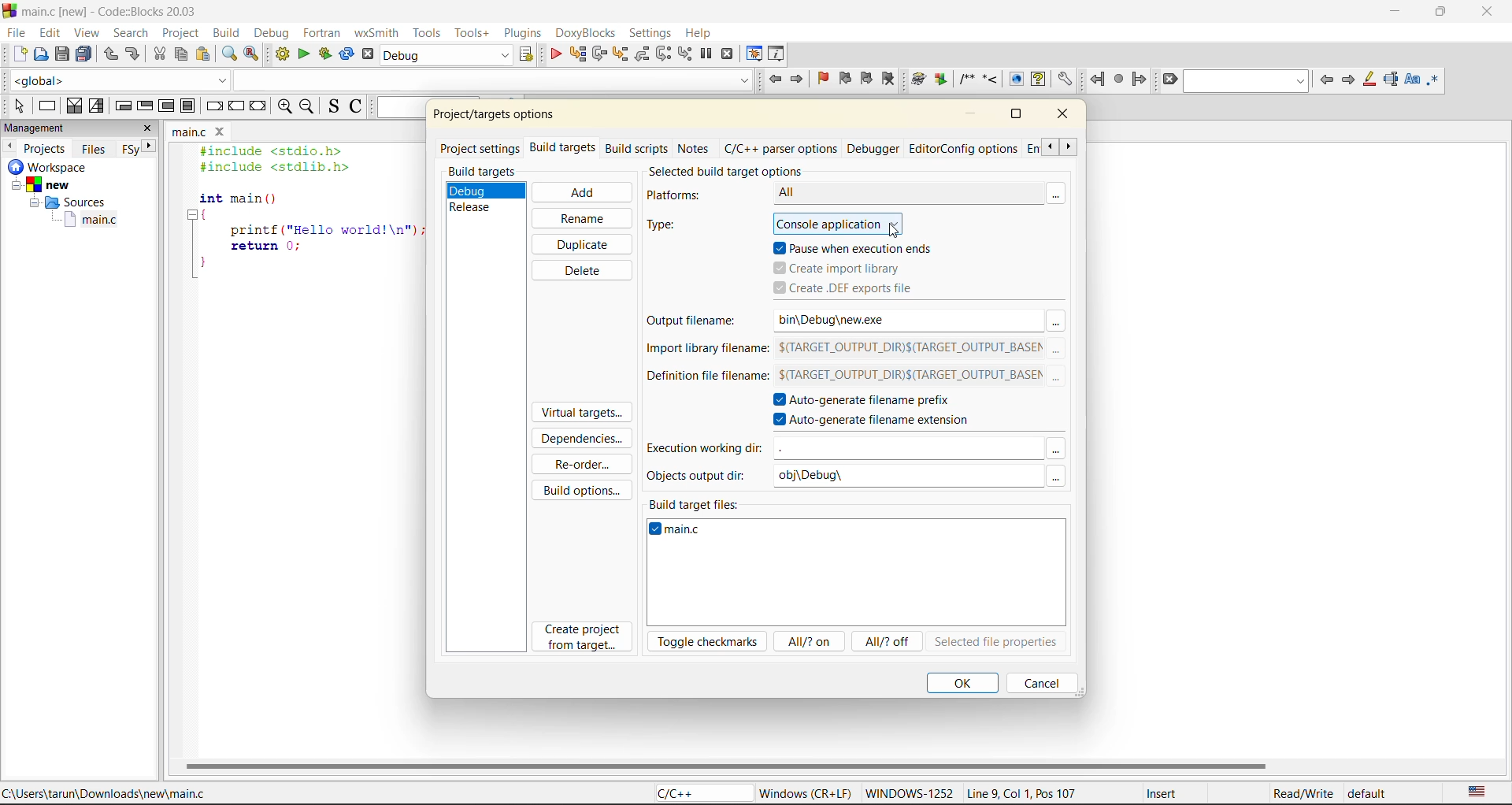 This screenshot has width=1512, height=805. I want to click on step into, so click(621, 54).